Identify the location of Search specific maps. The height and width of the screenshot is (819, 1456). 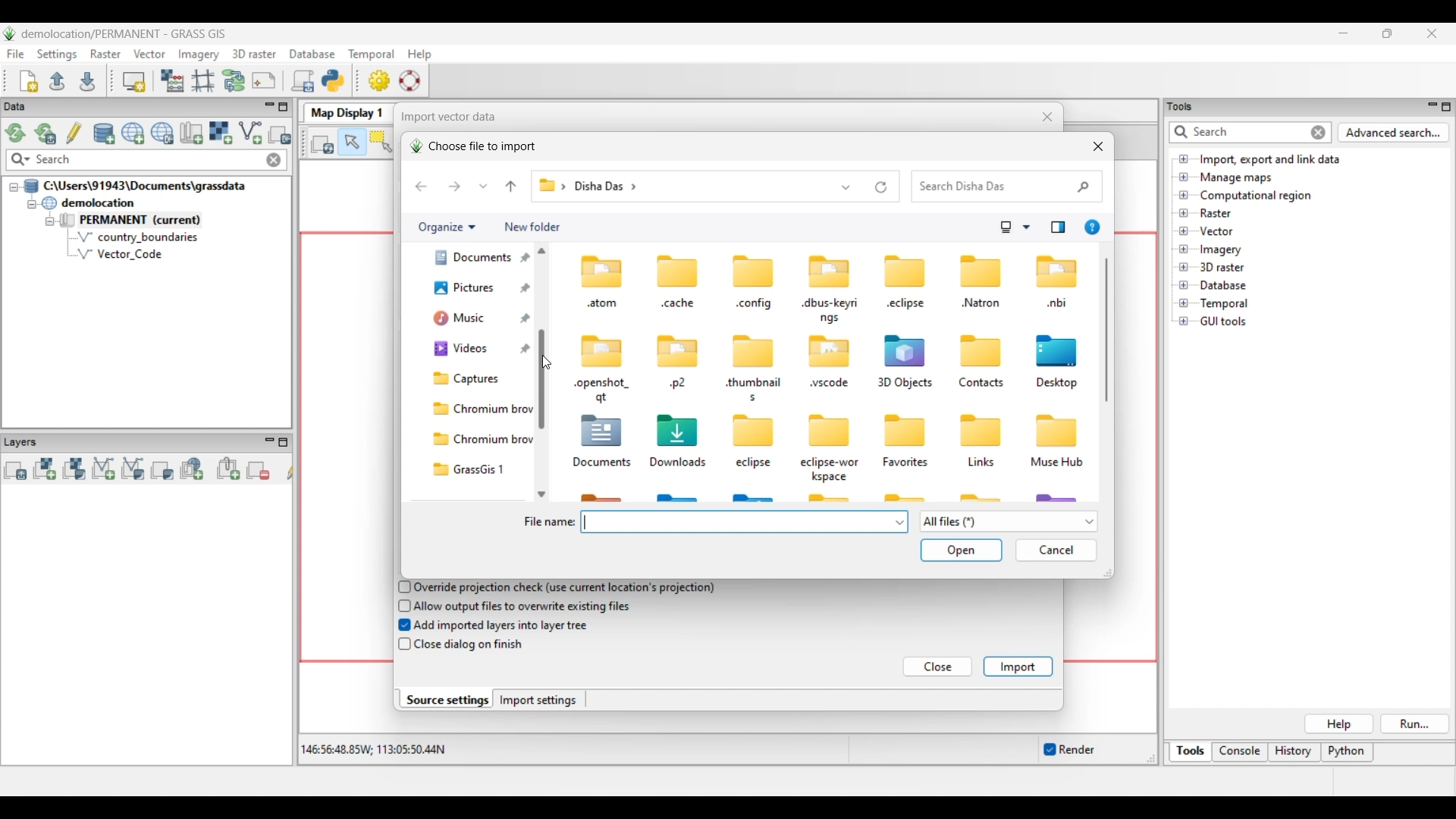
(19, 160).